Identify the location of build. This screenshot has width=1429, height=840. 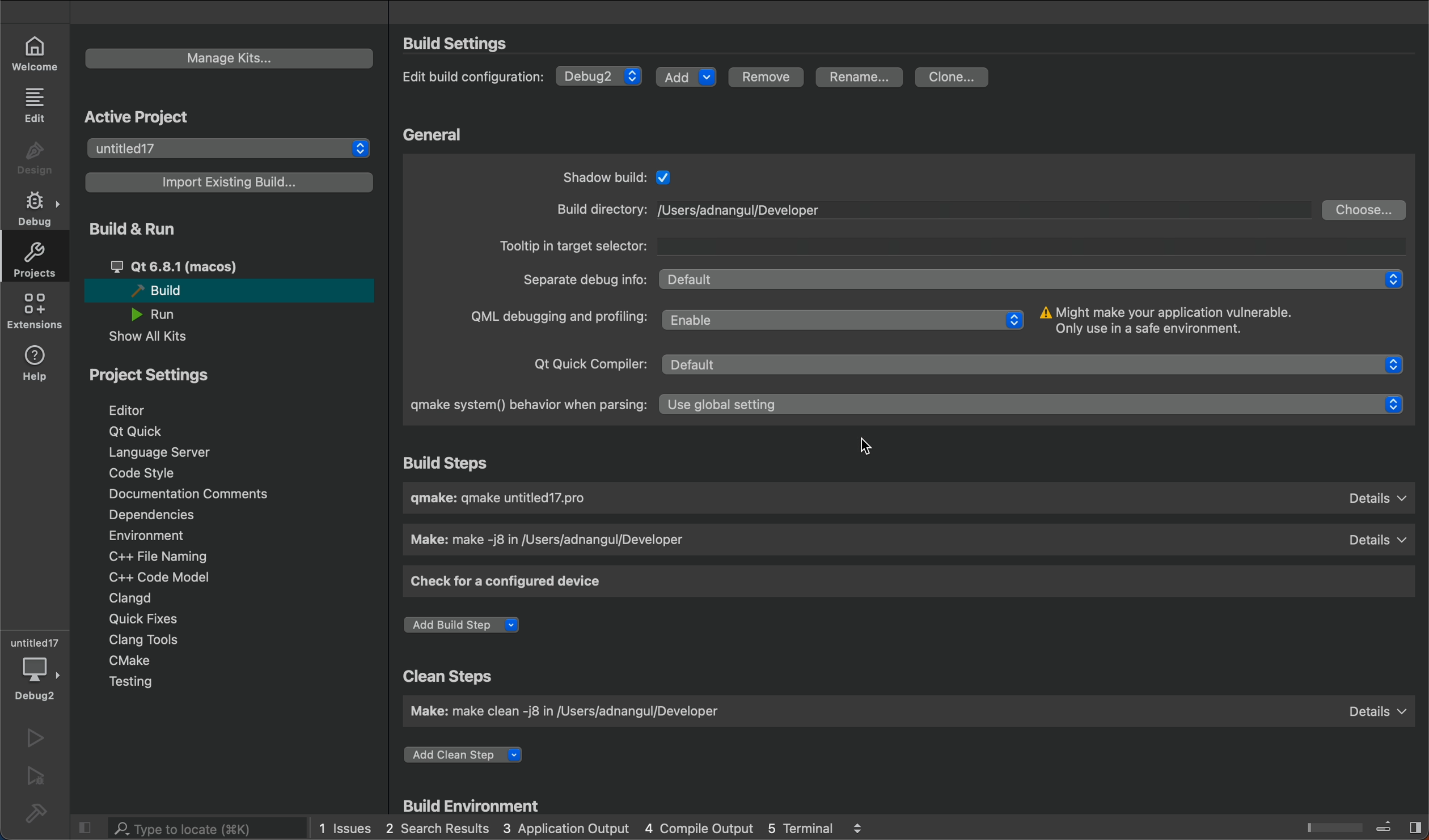
(177, 291).